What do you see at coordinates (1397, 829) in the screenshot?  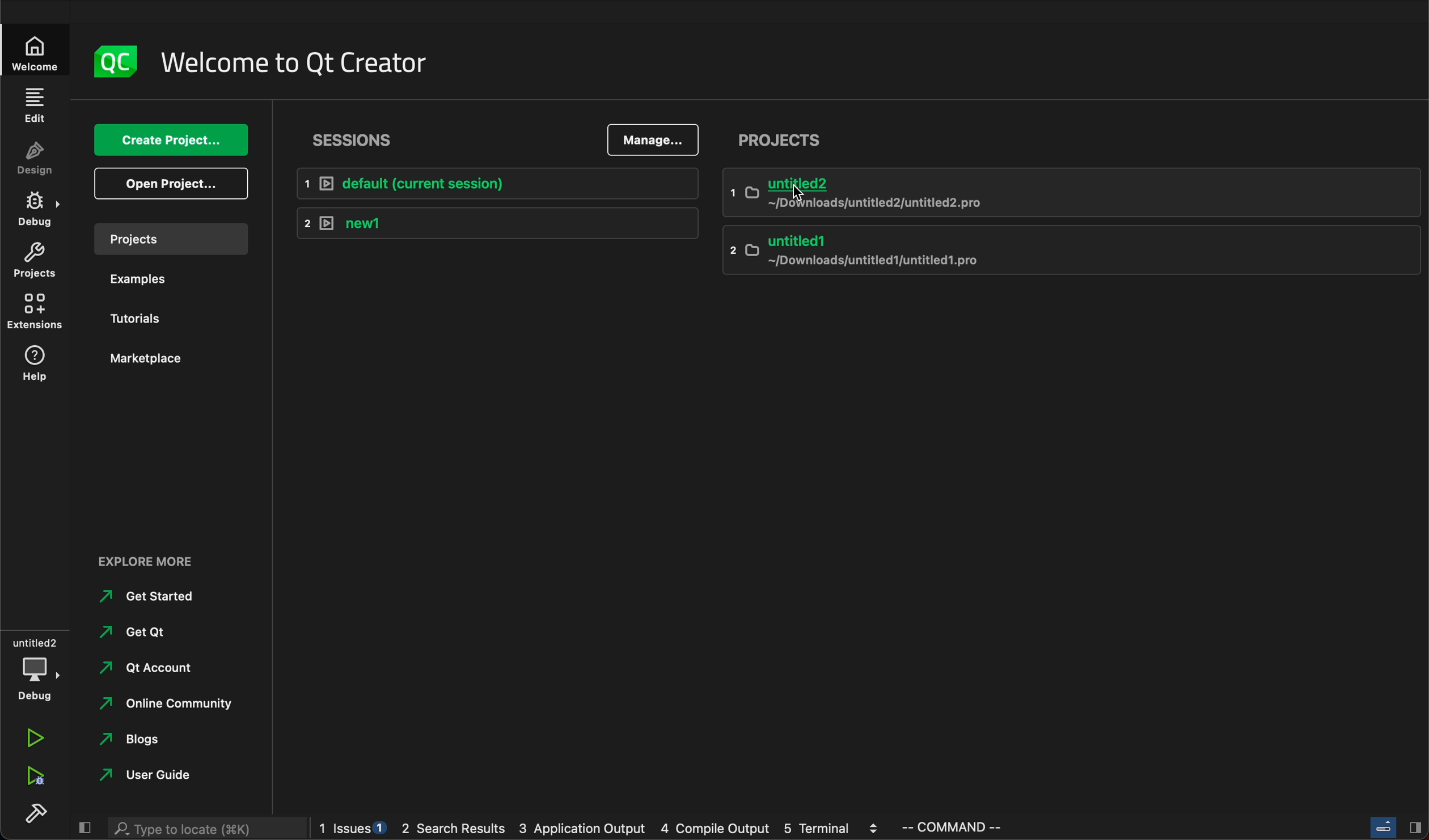 I see `close sidebar` at bounding box center [1397, 829].